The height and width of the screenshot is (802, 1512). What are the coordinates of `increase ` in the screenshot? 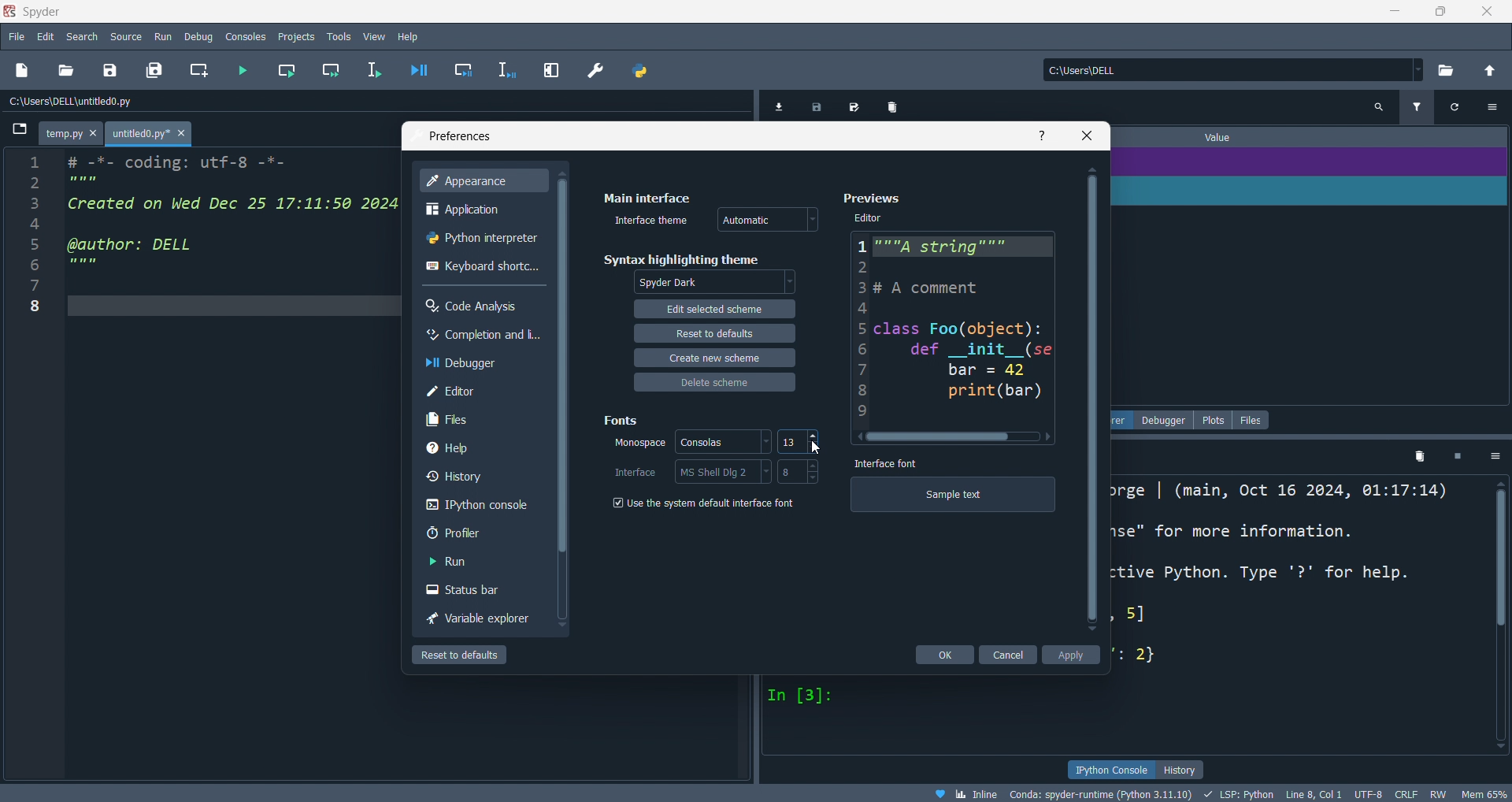 It's located at (815, 436).